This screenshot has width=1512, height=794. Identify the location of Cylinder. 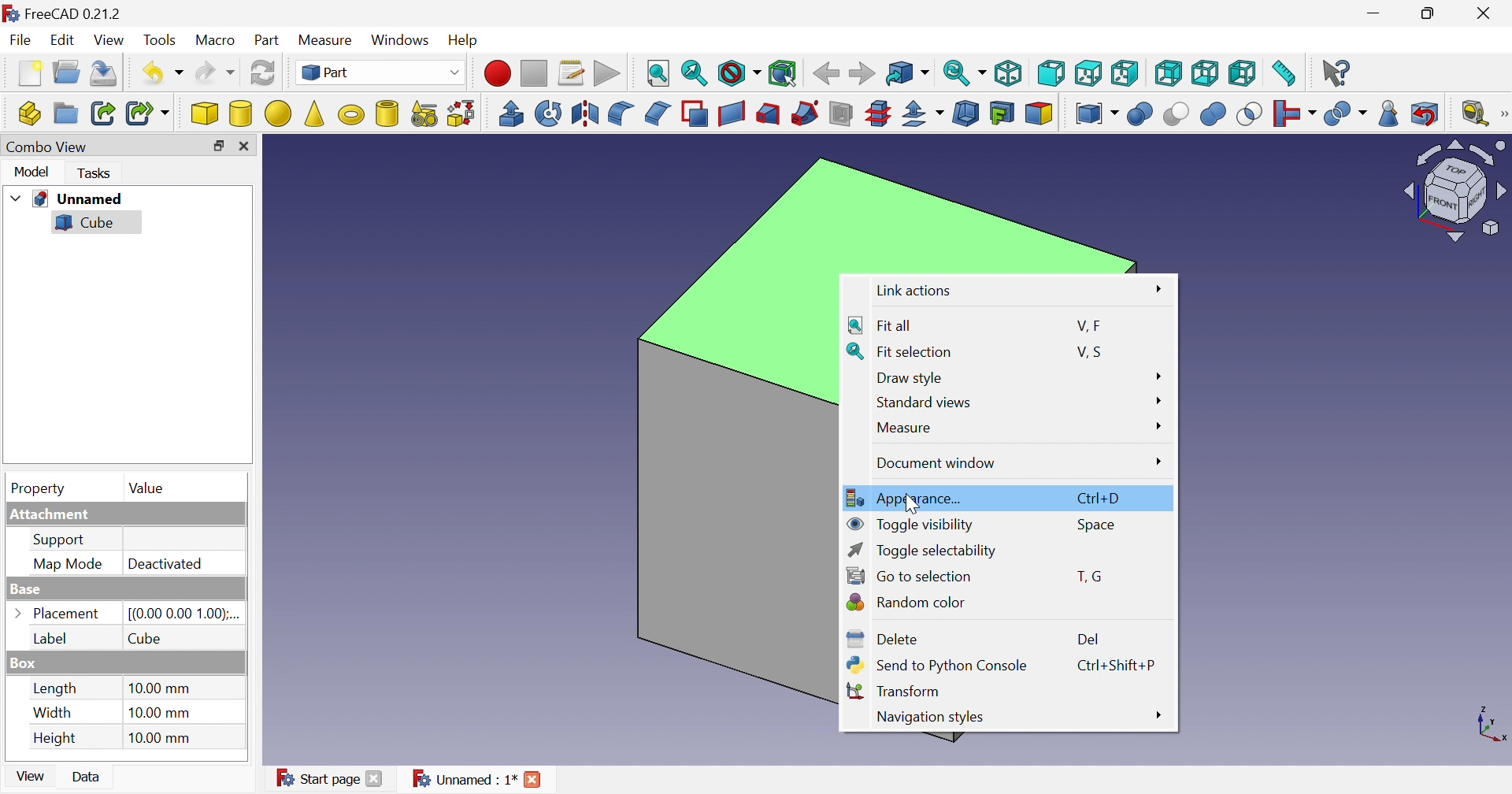
(241, 115).